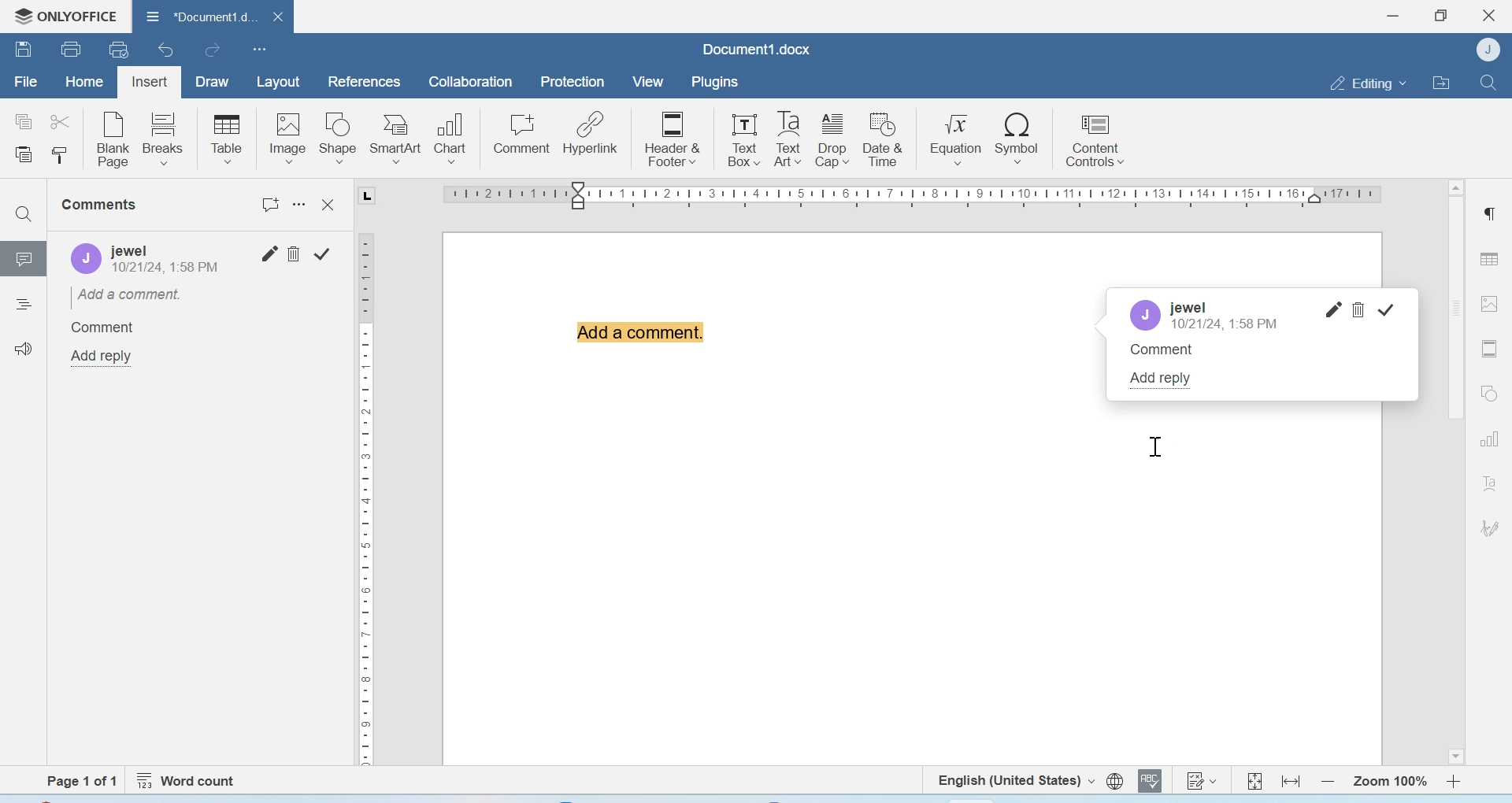 This screenshot has width=1512, height=803. Describe the element at coordinates (396, 139) in the screenshot. I see `SmartArt` at that location.